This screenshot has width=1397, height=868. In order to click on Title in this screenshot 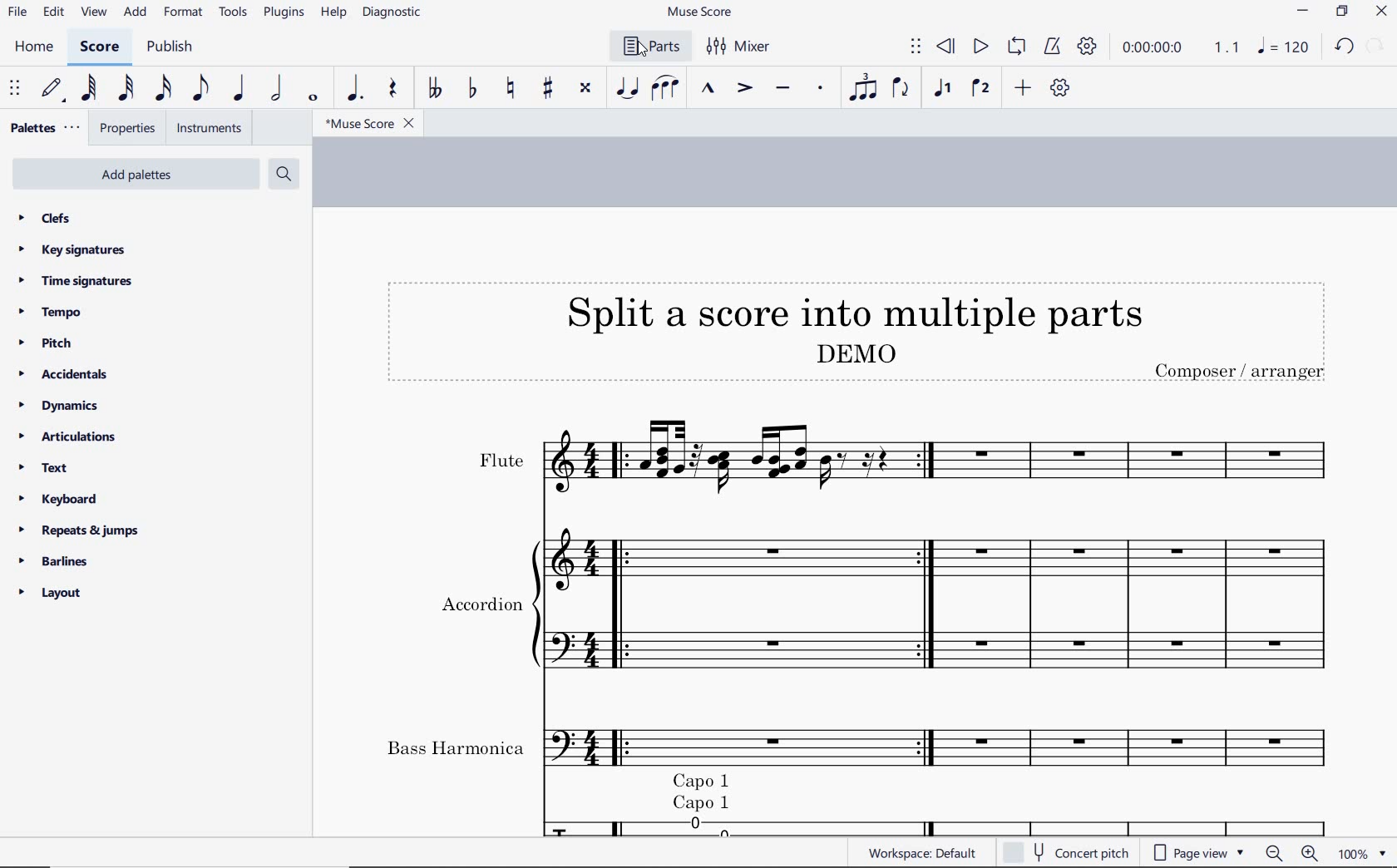, I will do `click(853, 330)`.